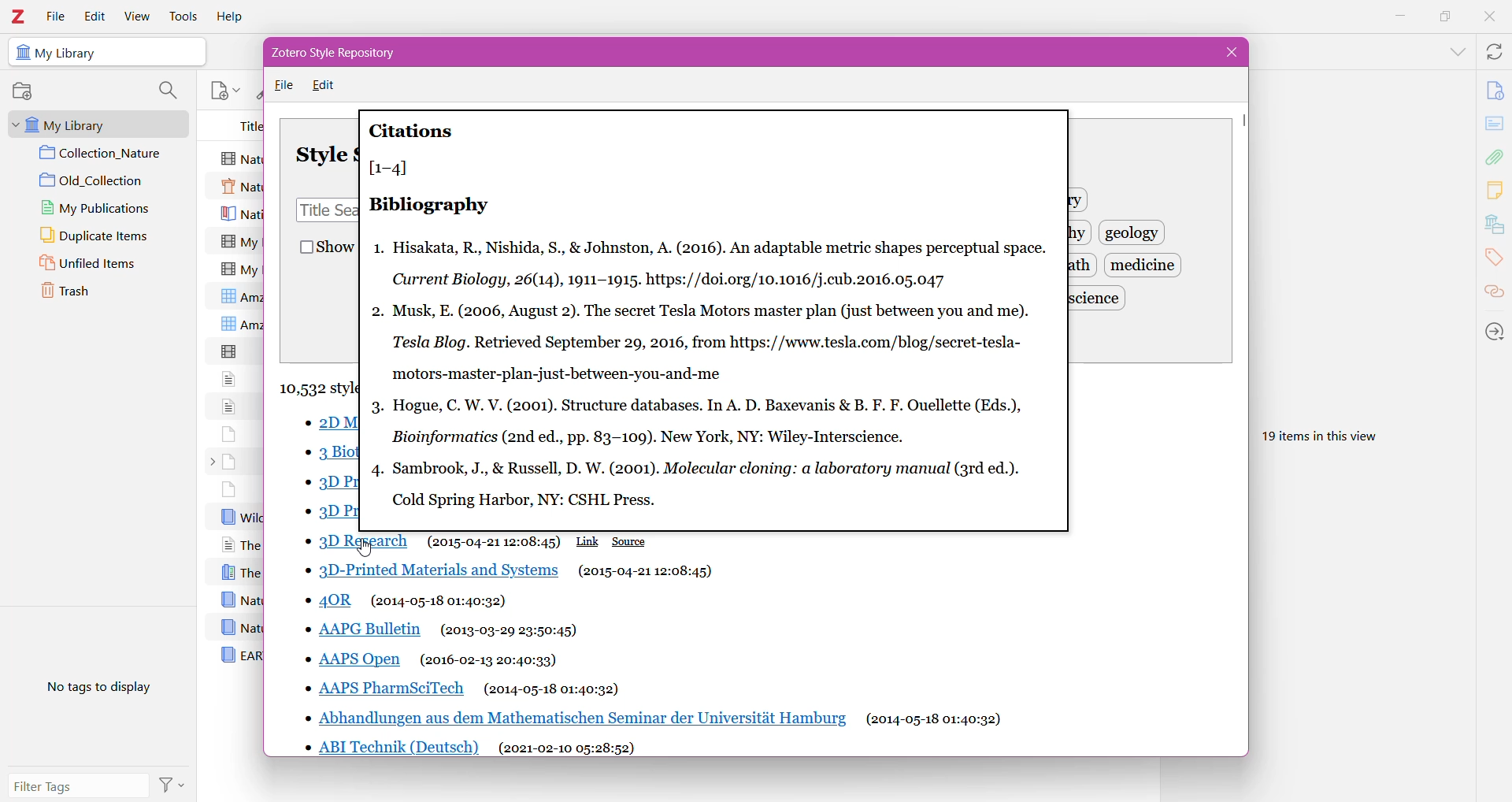 The width and height of the screenshot is (1512, 802). What do you see at coordinates (394, 747) in the screenshot?
I see `Style 12` at bounding box center [394, 747].